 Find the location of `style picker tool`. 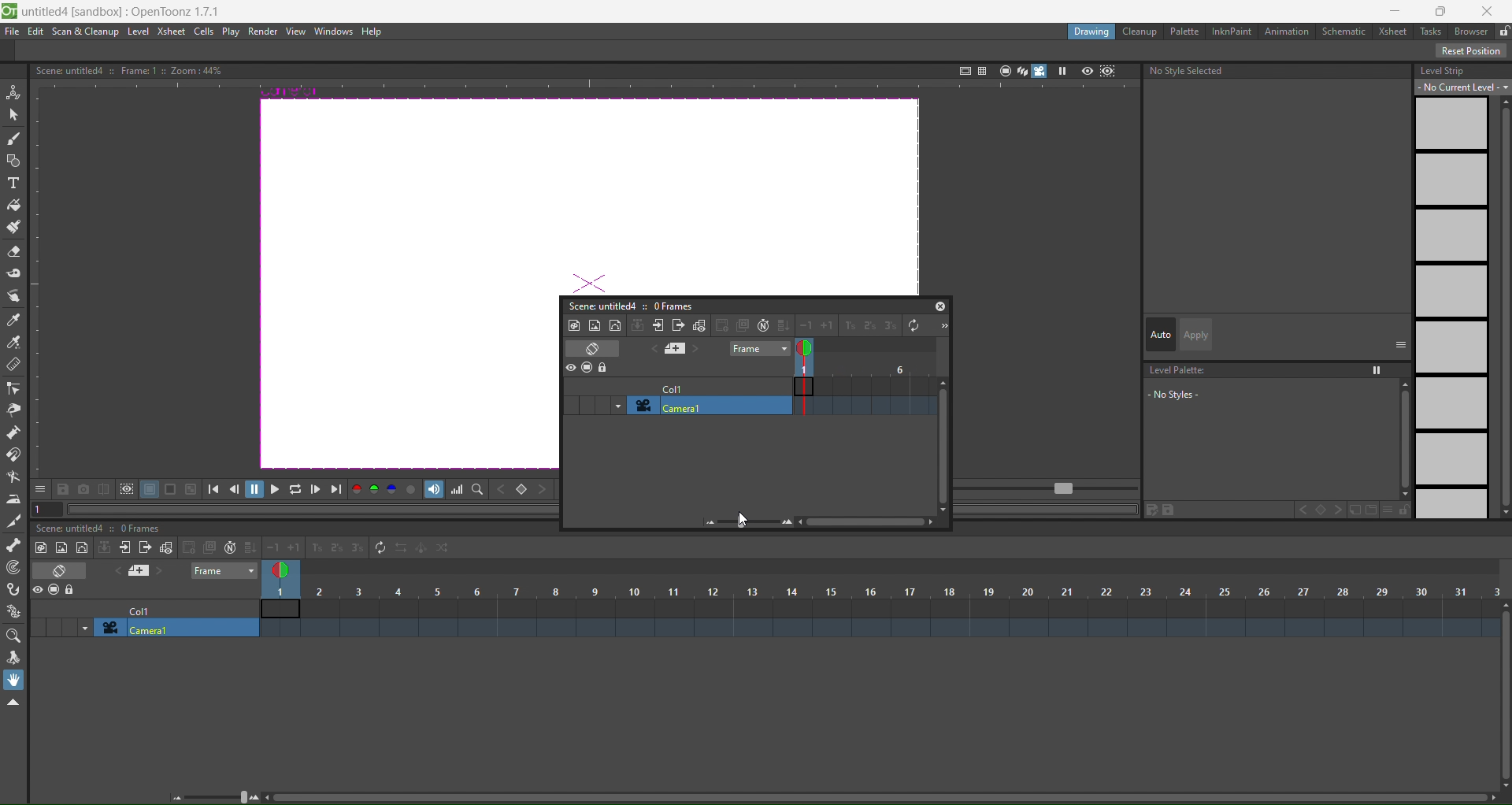

style picker tool is located at coordinates (13, 321).